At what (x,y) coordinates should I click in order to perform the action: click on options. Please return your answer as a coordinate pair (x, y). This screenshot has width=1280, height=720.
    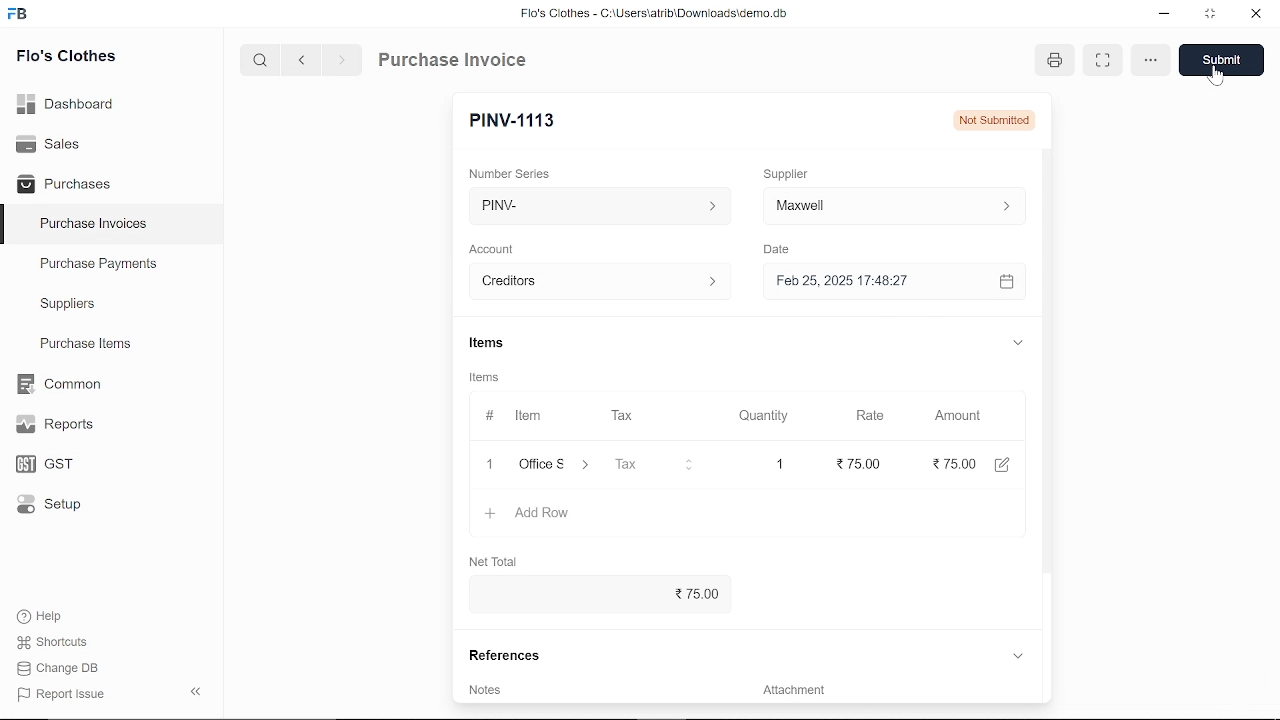
    Looking at the image, I should click on (1151, 60).